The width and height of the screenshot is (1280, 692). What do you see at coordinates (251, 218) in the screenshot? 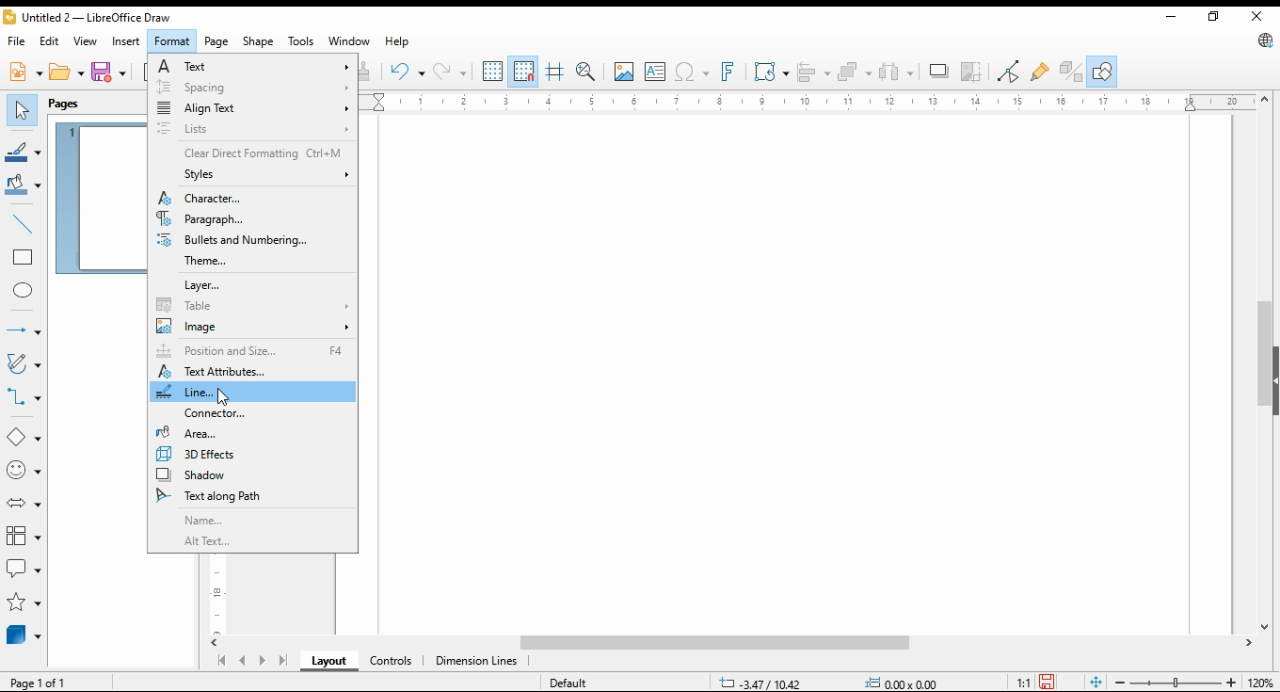
I see `paragraph` at bounding box center [251, 218].